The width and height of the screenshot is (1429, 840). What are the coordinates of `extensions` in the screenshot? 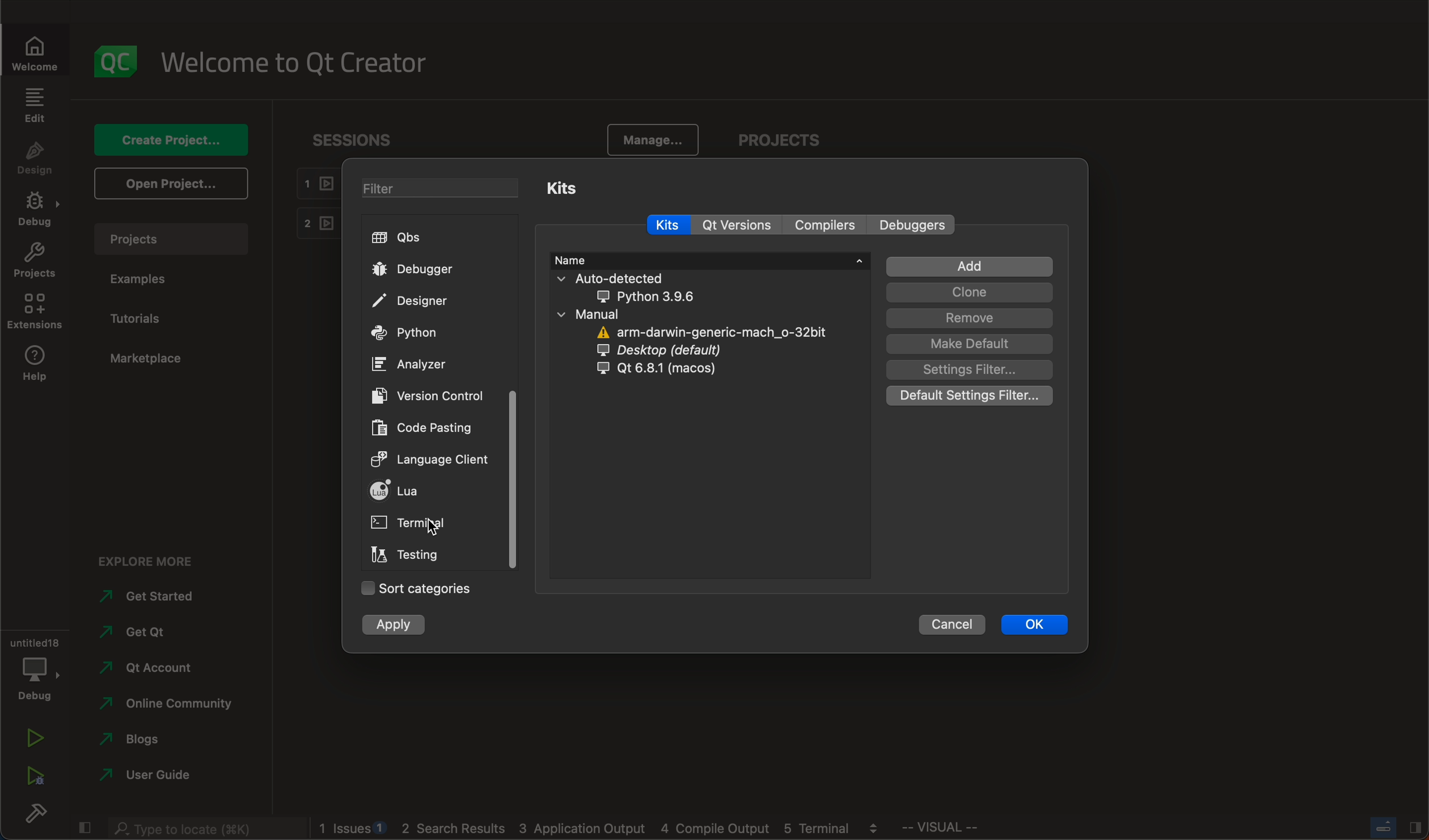 It's located at (36, 312).